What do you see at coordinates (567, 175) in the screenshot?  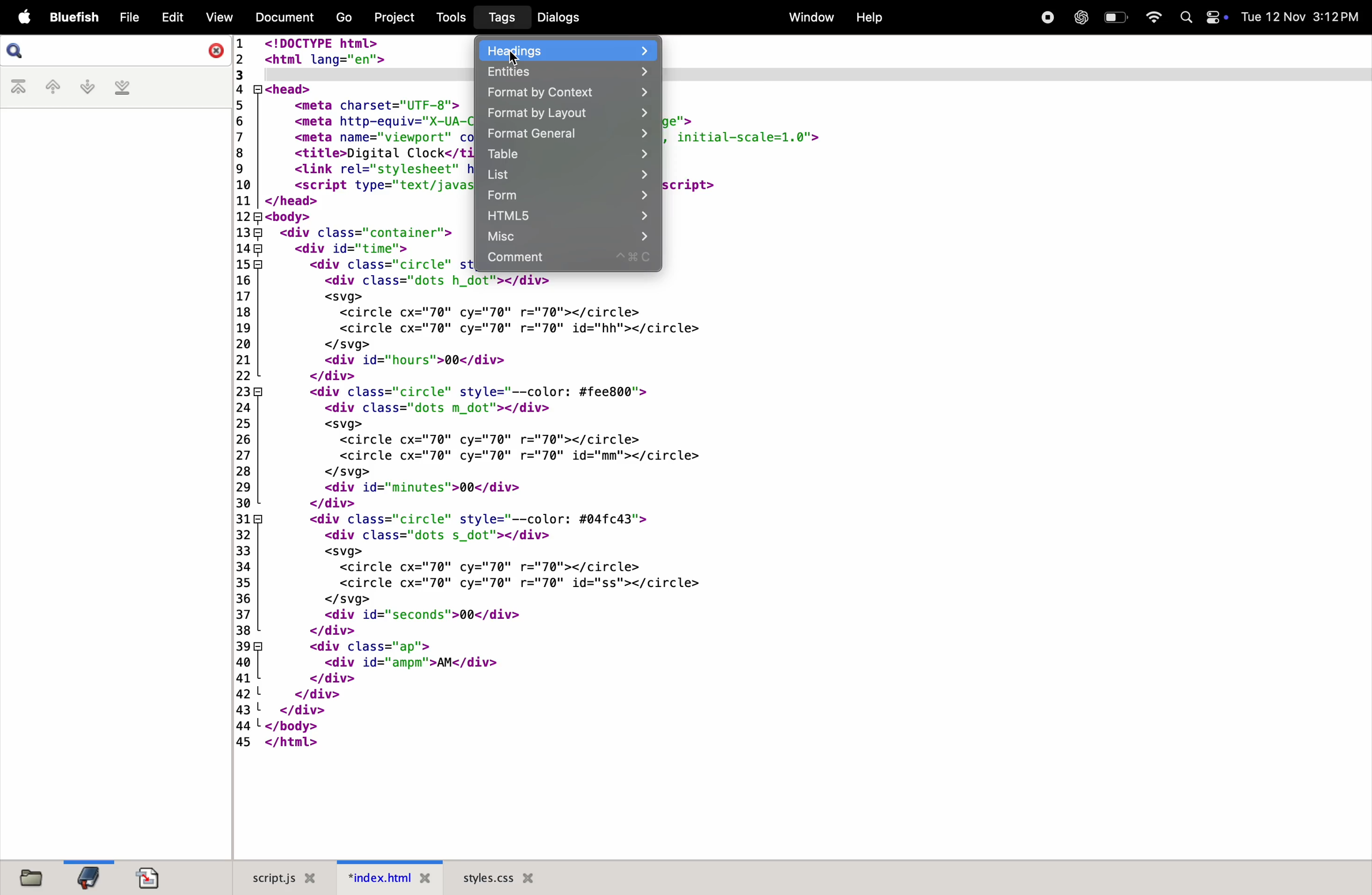 I see `list` at bounding box center [567, 175].